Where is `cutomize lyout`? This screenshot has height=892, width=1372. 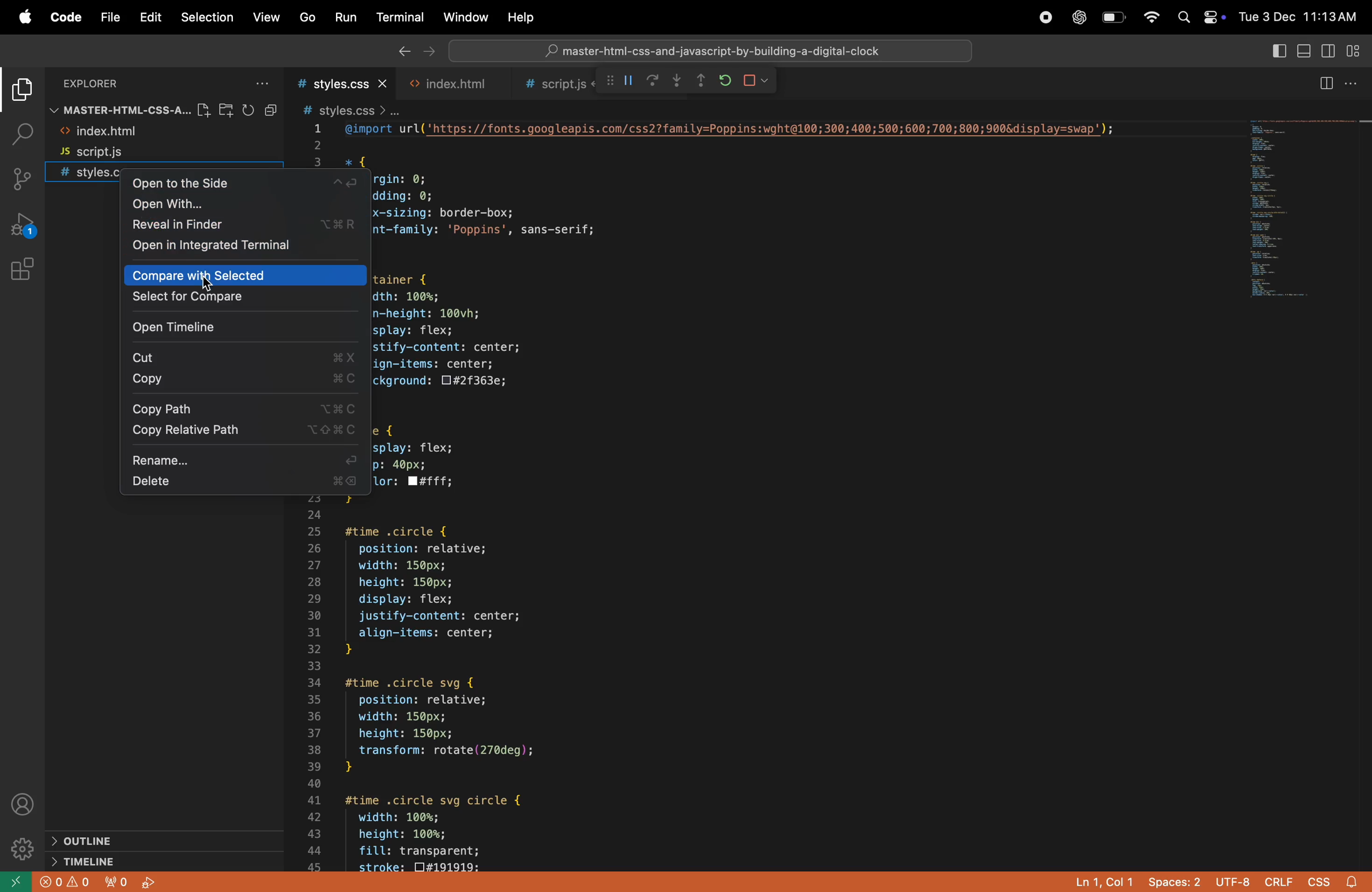
cutomize lyout is located at coordinates (1356, 50).